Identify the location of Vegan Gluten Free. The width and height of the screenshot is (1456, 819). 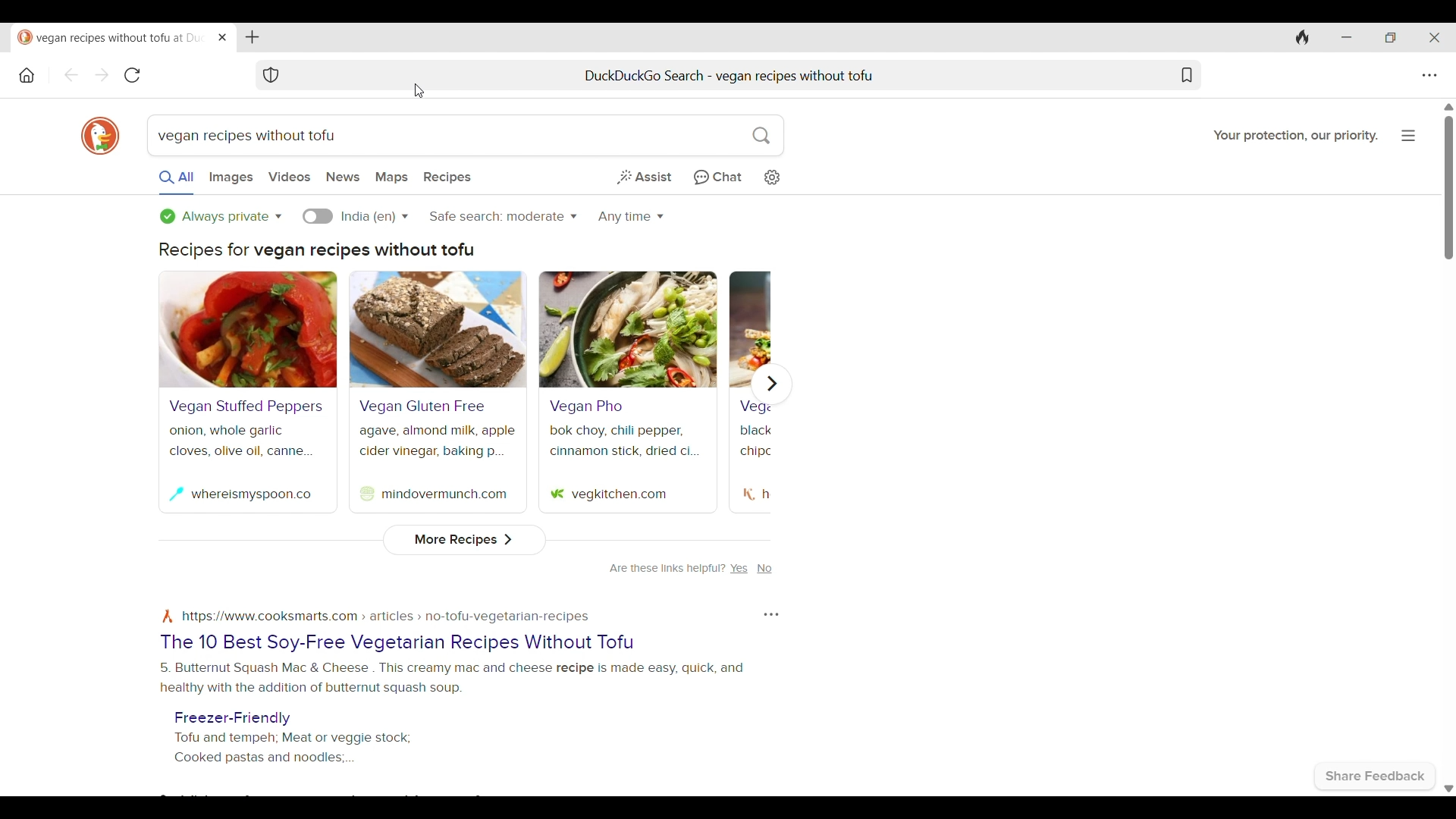
(422, 406).